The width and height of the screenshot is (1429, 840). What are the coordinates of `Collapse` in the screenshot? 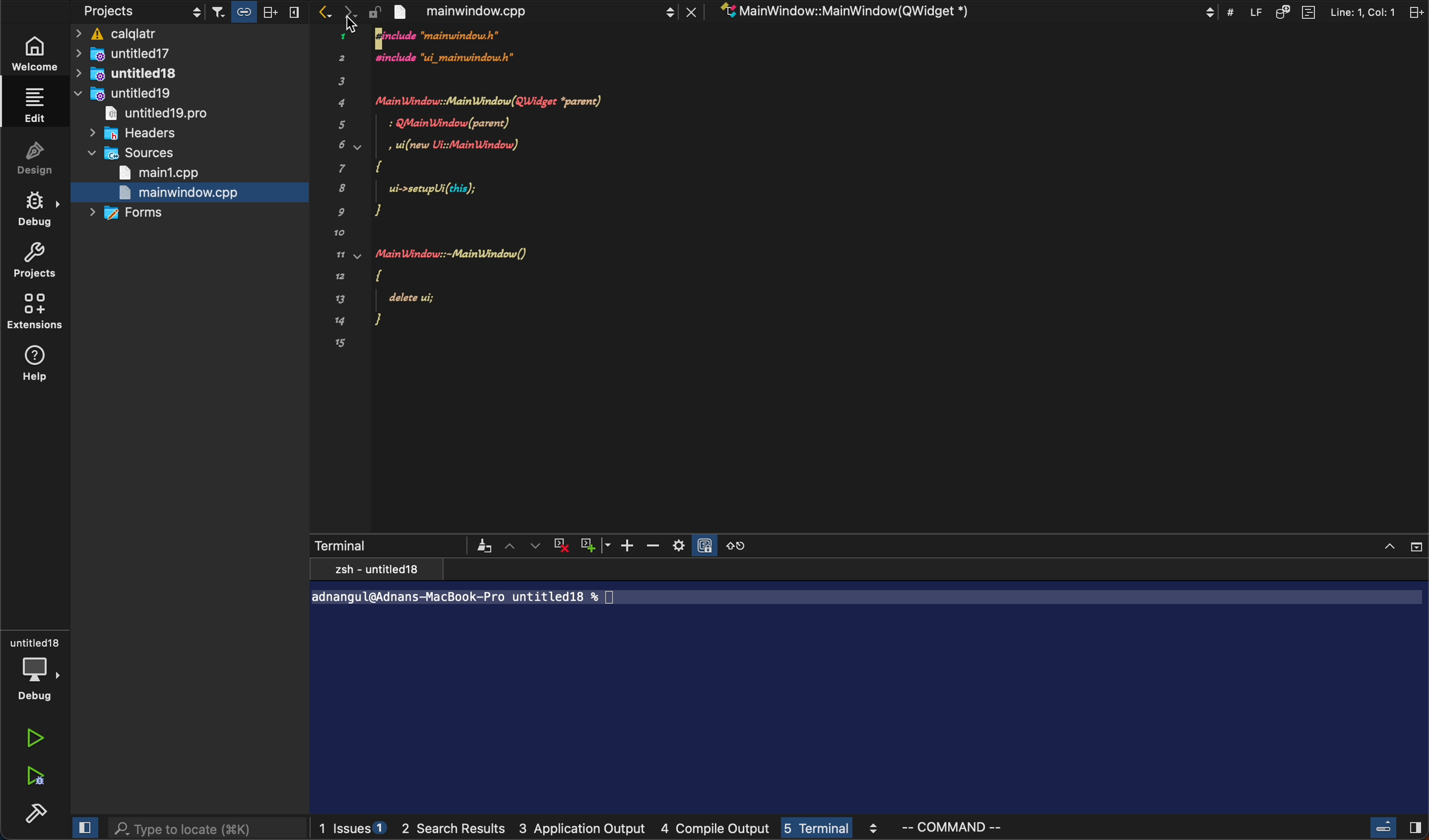 It's located at (1416, 547).